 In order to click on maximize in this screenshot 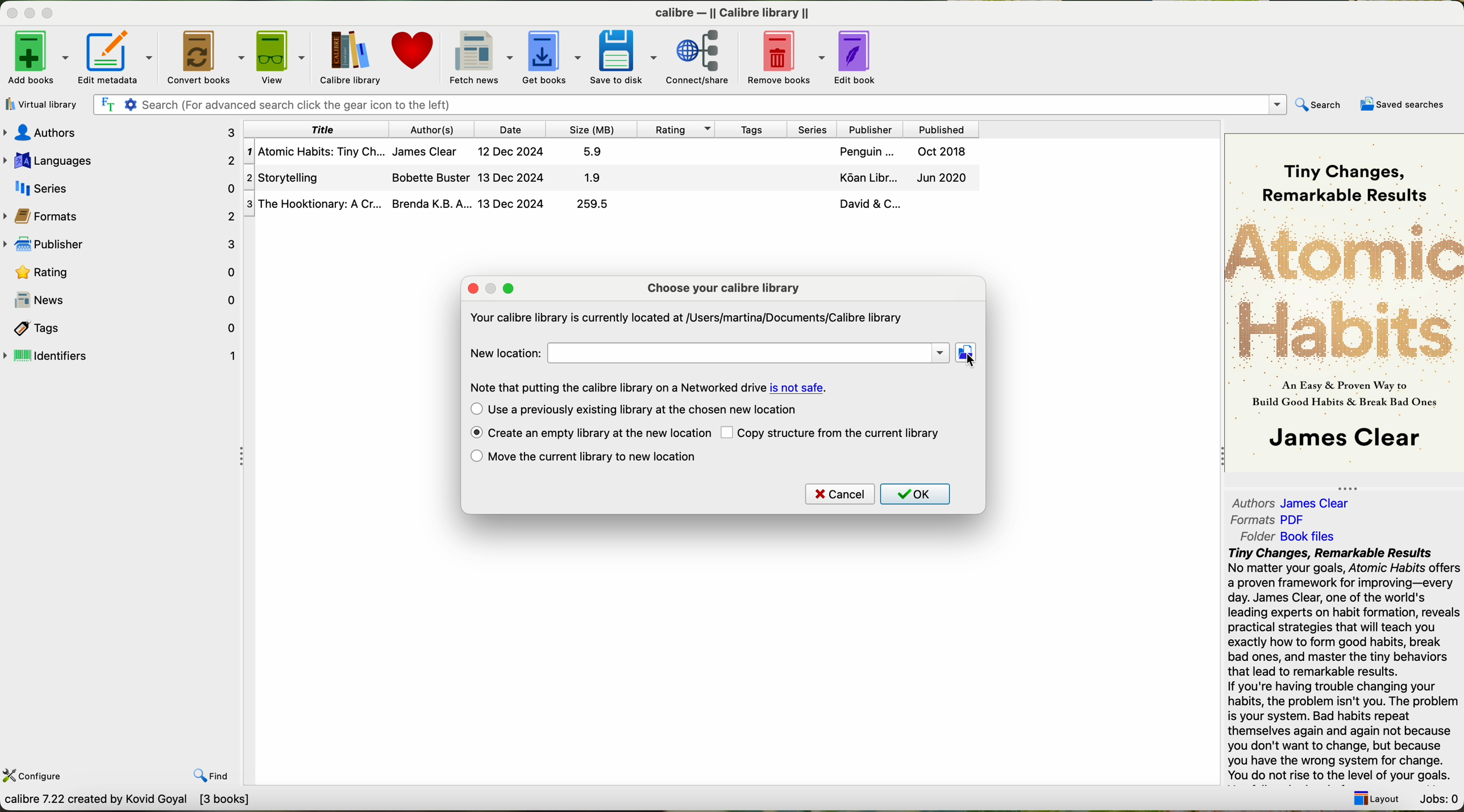, I will do `click(509, 289)`.